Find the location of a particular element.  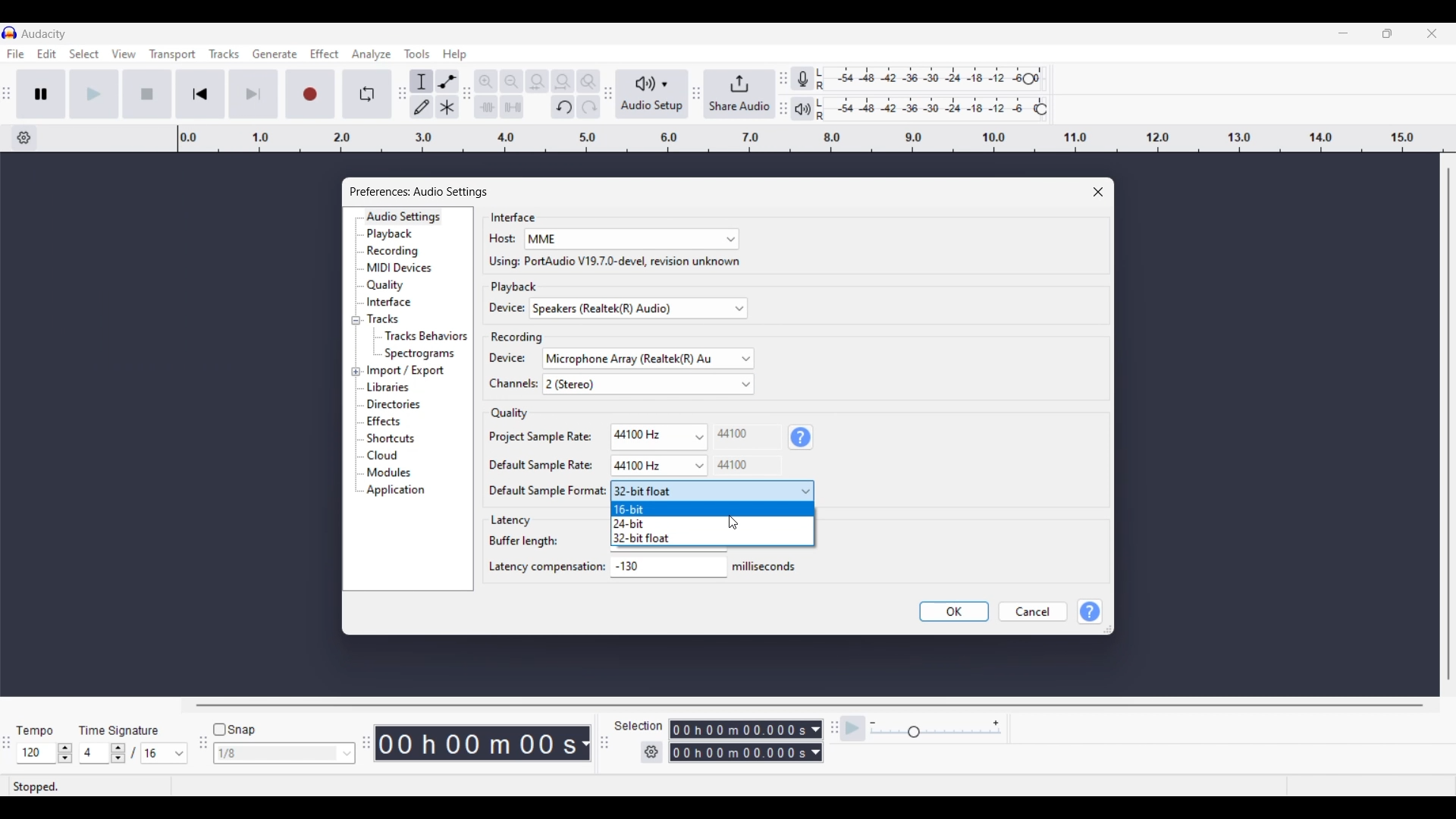

Slider to change playback speed is located at coordinates (936, 733).